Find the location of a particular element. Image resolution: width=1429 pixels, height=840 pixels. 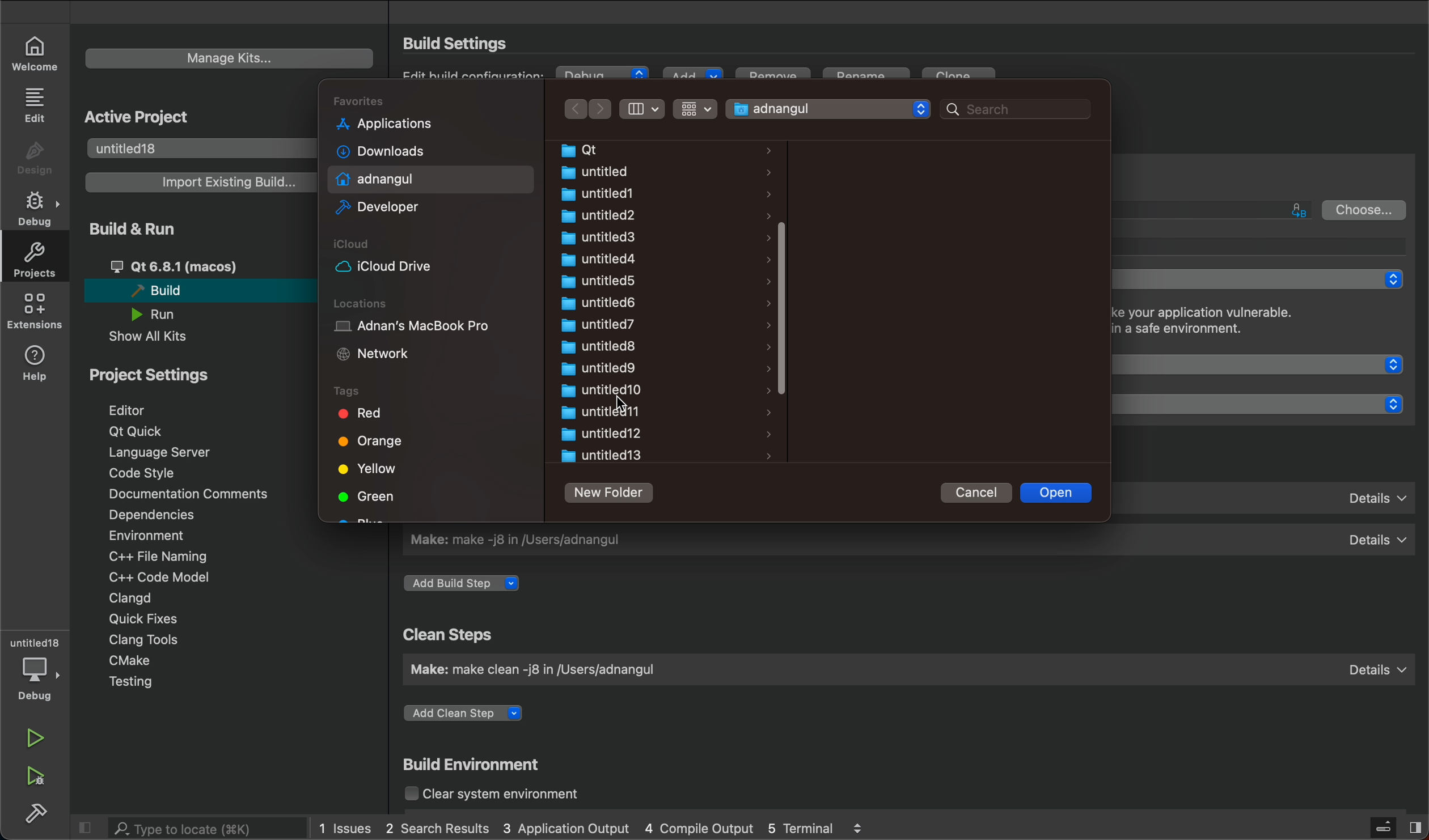

untitled5 is located at coordinates (651, 281).